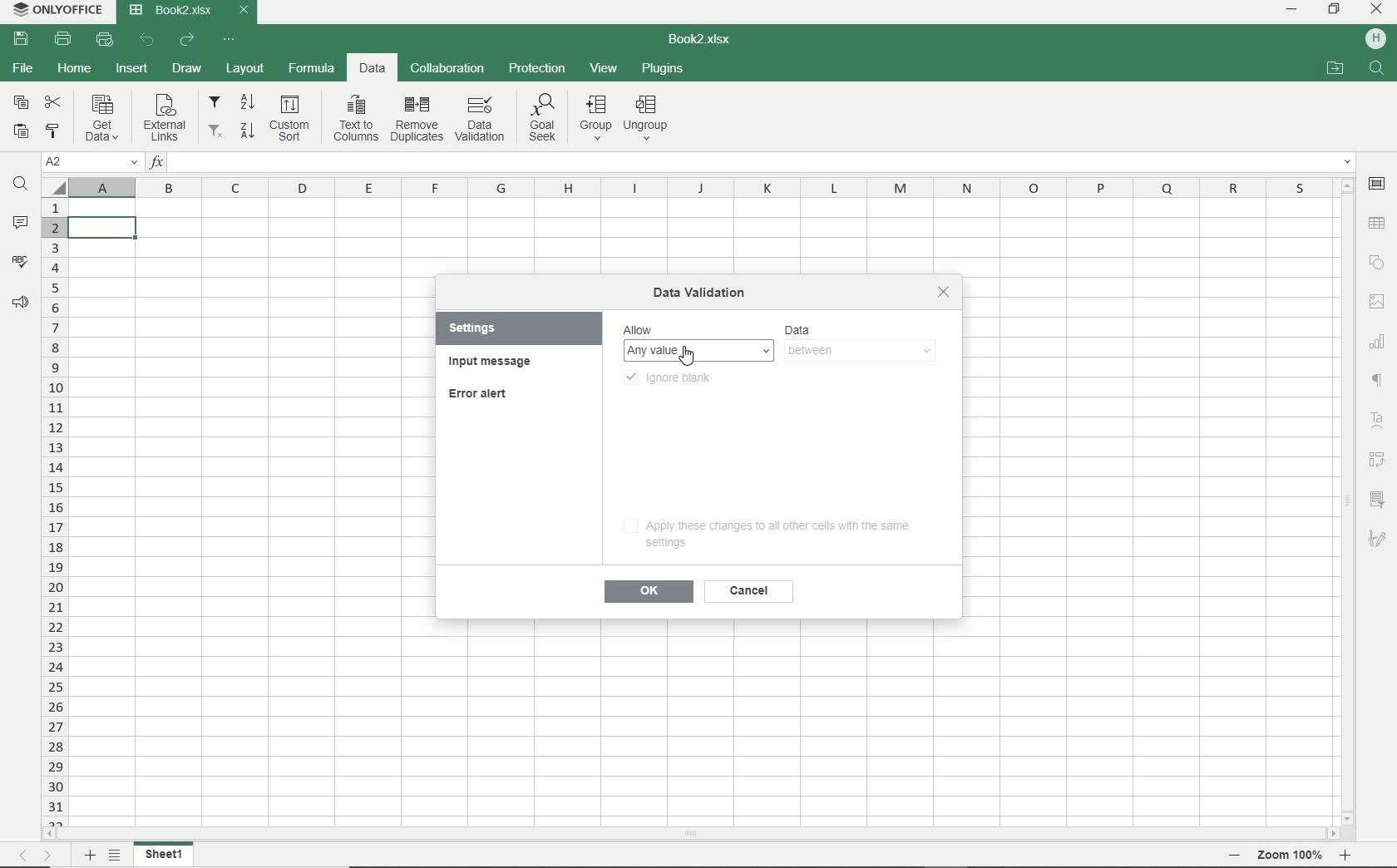 This screenshot has height=868, width=1397. I want to click on UNDO, so click(146, 40).